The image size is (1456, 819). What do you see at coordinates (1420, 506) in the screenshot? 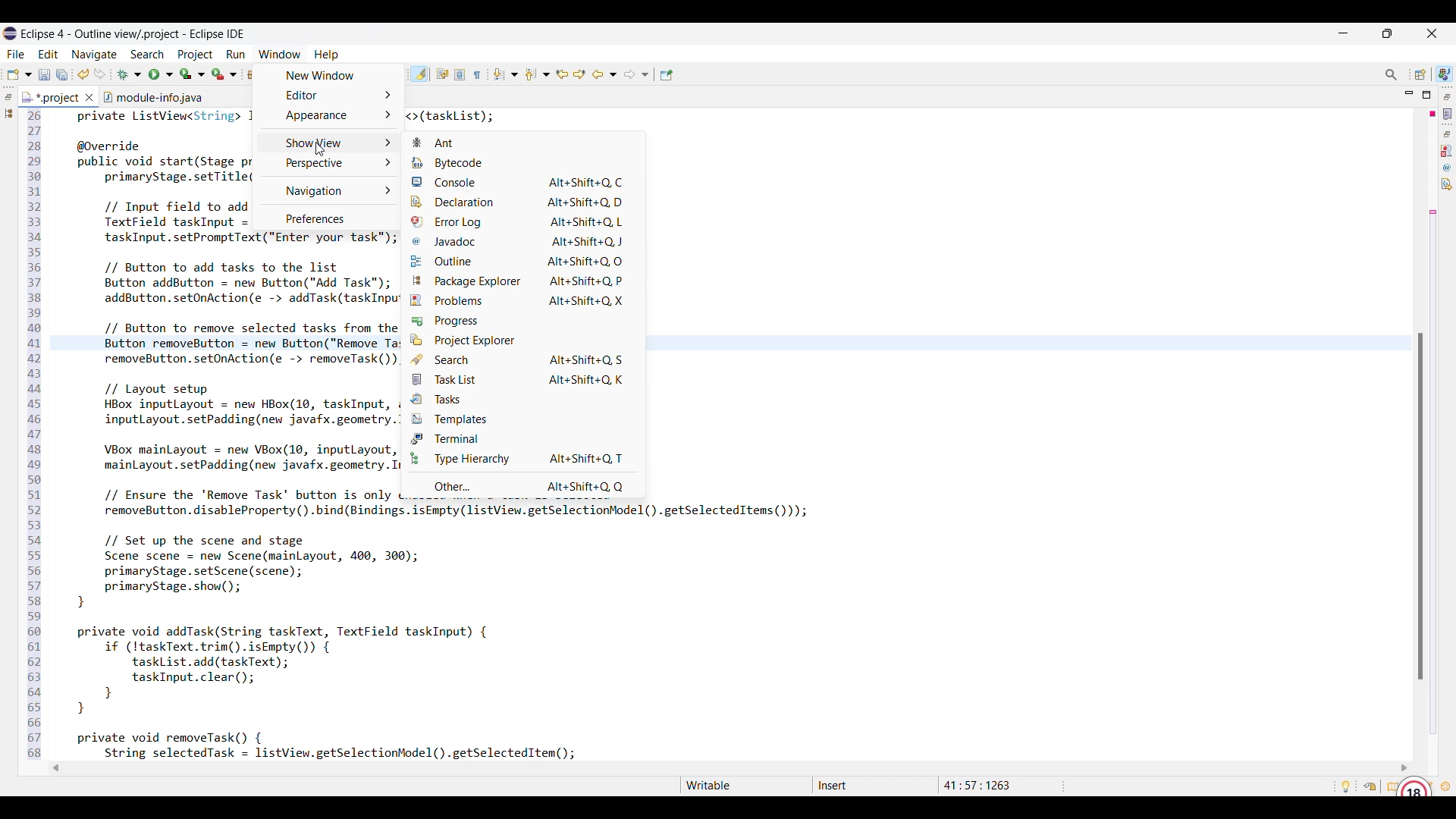
I see `Vertical slide bar` at bounding box center [1420, 506].